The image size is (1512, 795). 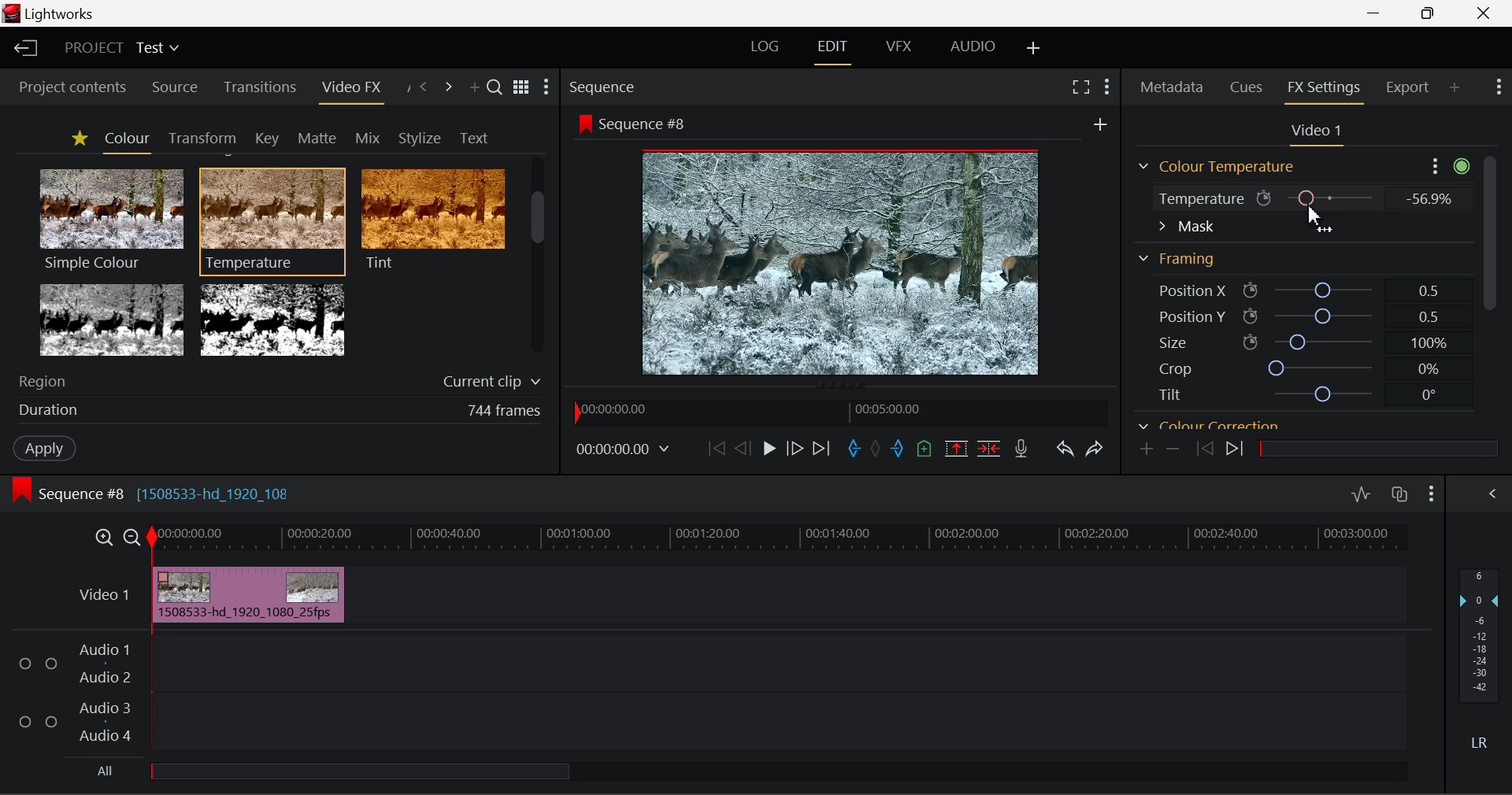 I want to click on Lightworks, so click(x=63, y=14).